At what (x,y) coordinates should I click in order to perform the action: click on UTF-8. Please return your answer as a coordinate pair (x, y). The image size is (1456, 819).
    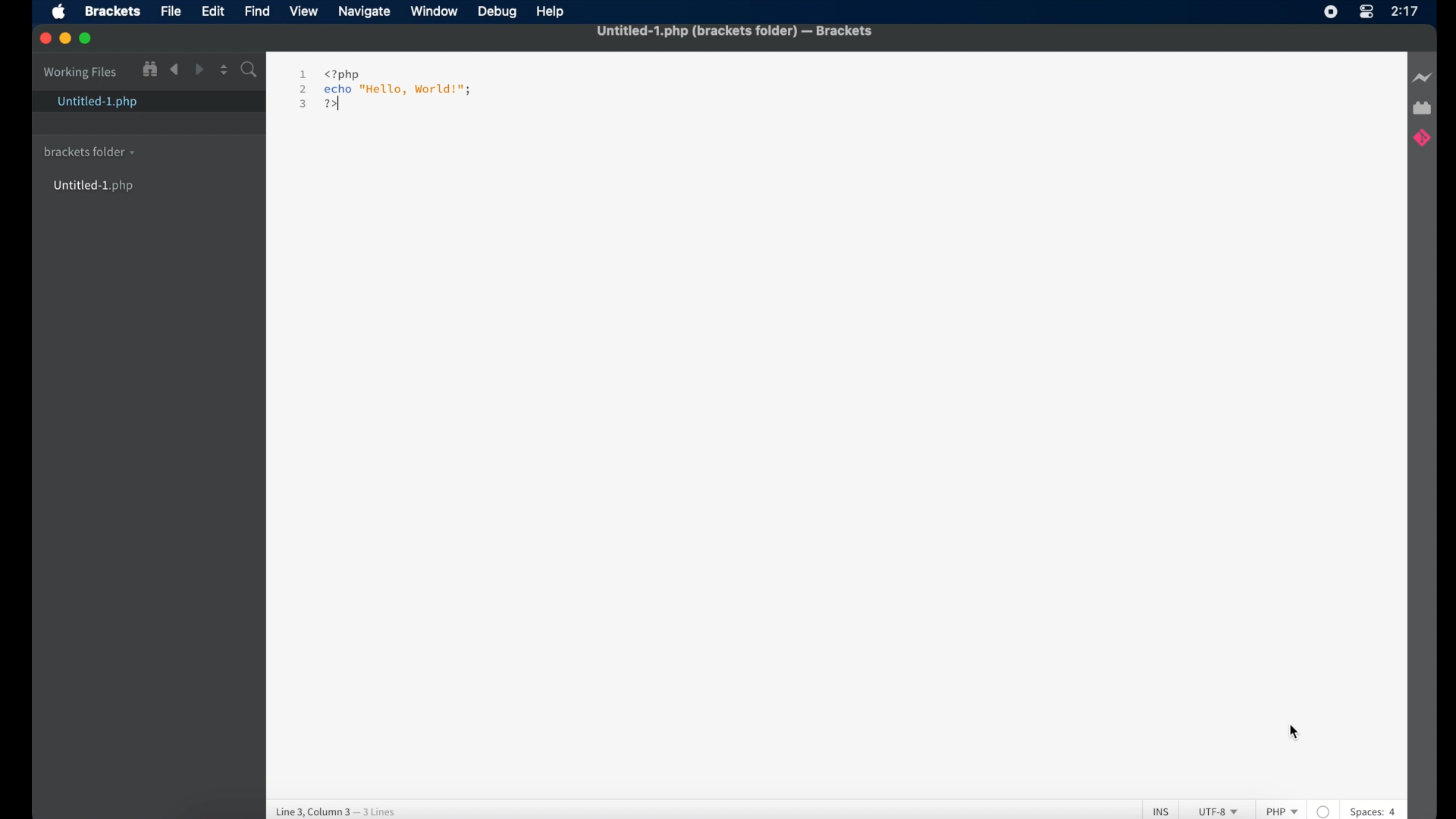
    Looking at the image, I should click on (1211, 811).